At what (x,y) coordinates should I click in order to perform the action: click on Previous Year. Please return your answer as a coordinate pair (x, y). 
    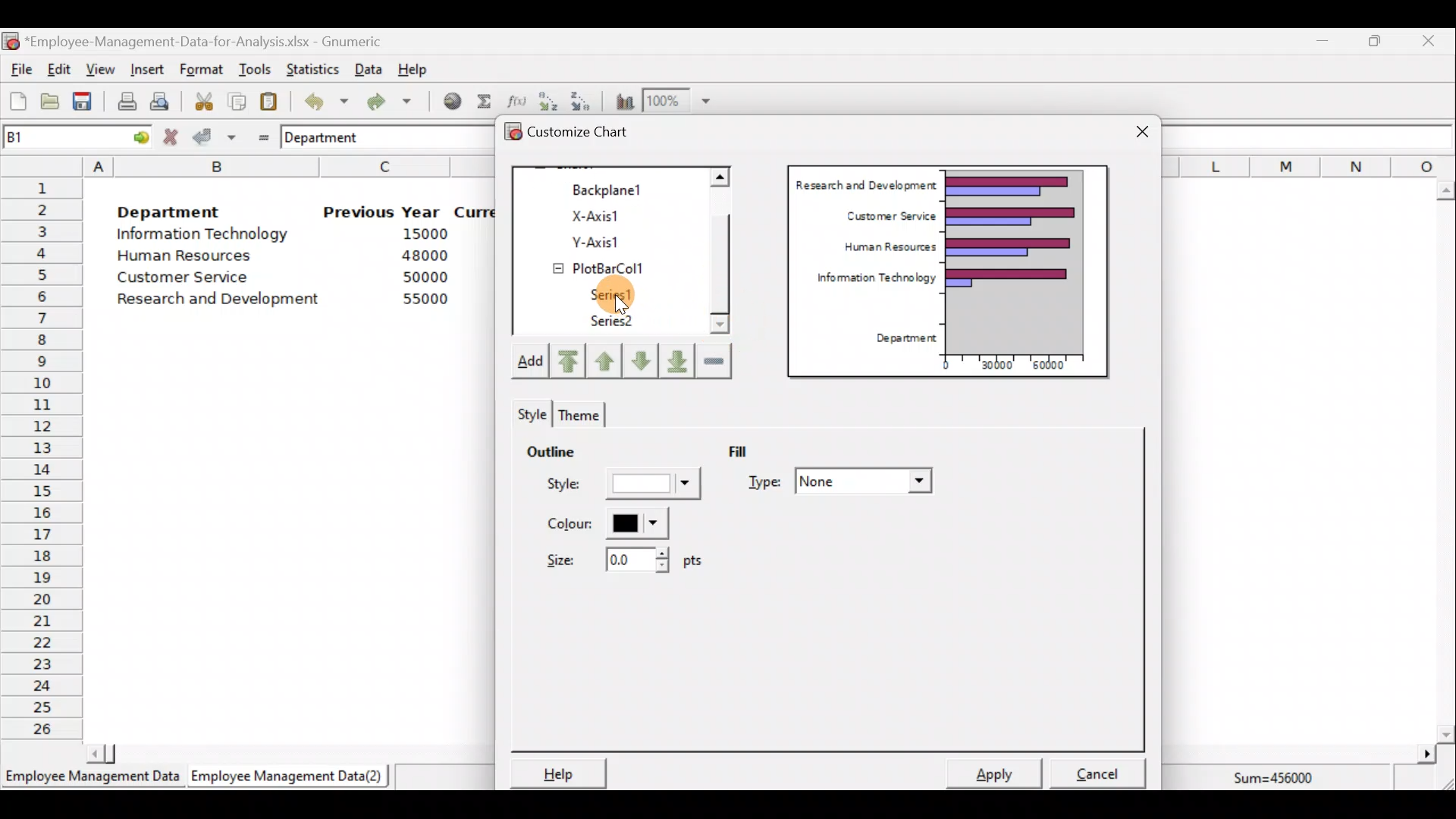
    Looking at the image, I should click on (382, 212).